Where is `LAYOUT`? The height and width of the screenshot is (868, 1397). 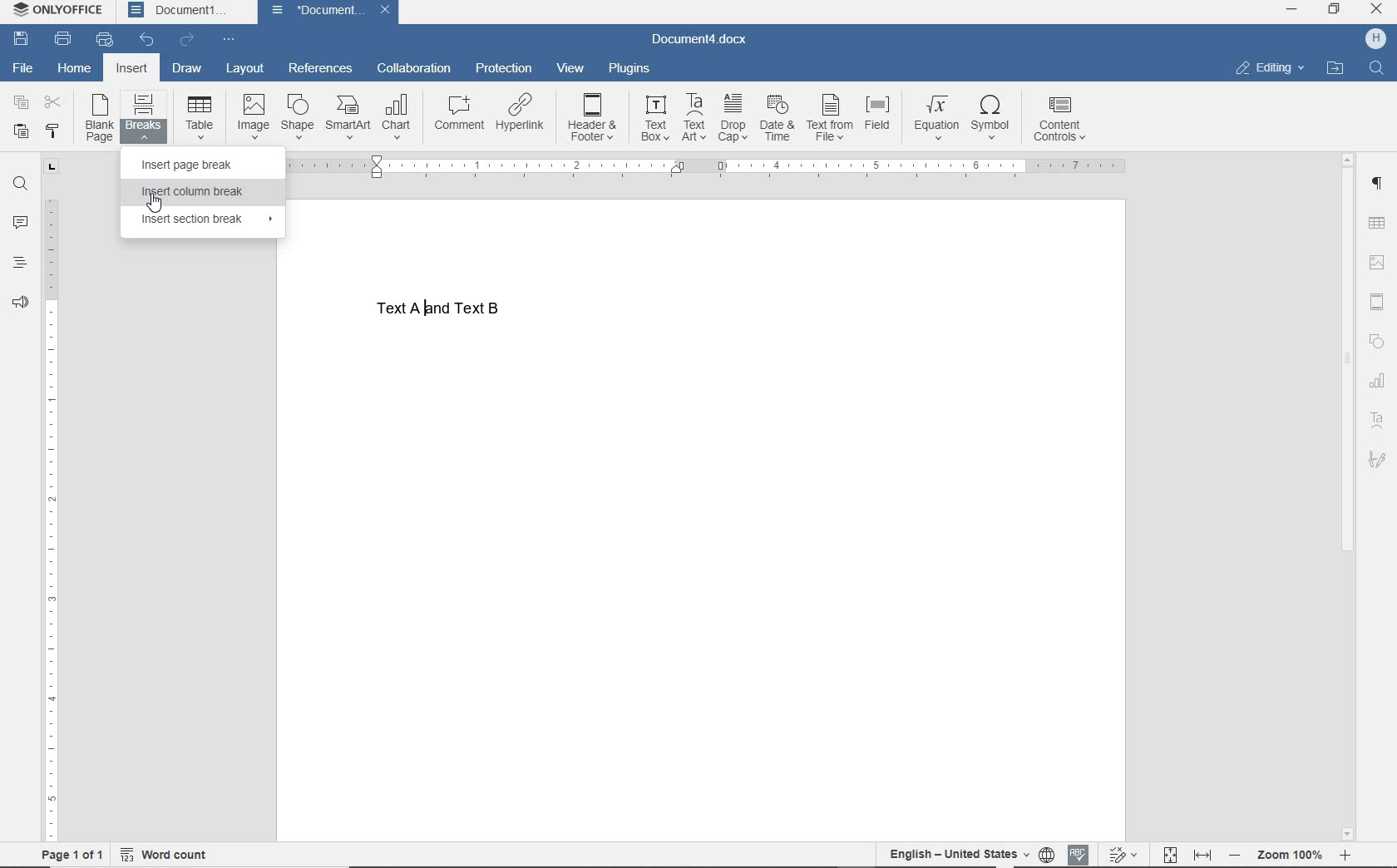 LAYOUT is located at coordinates (246, 69).